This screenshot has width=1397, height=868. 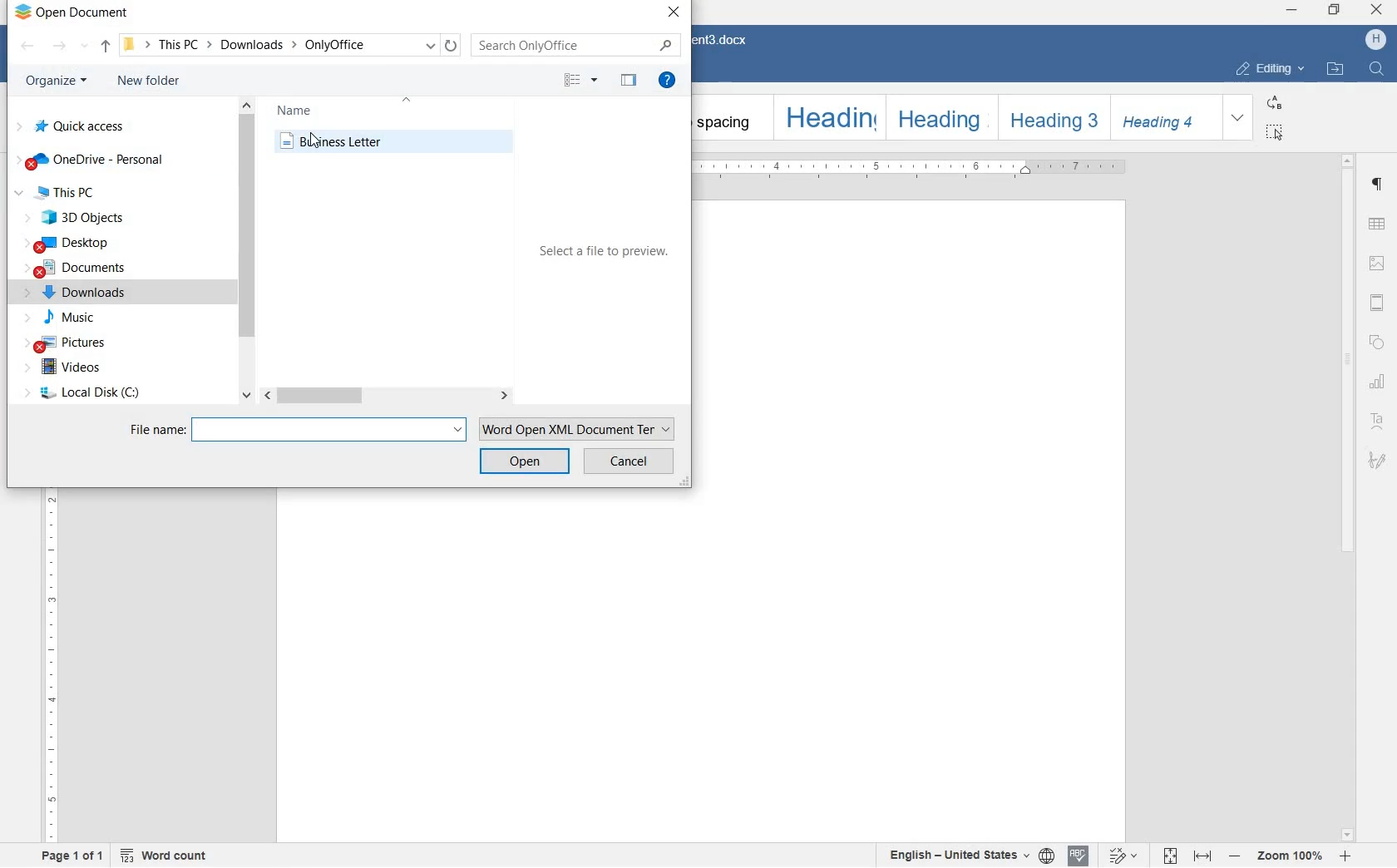 What do you see at coordinates (256, 44) in the screenshot?
I see `downloads` at bounding box center [256, 44].